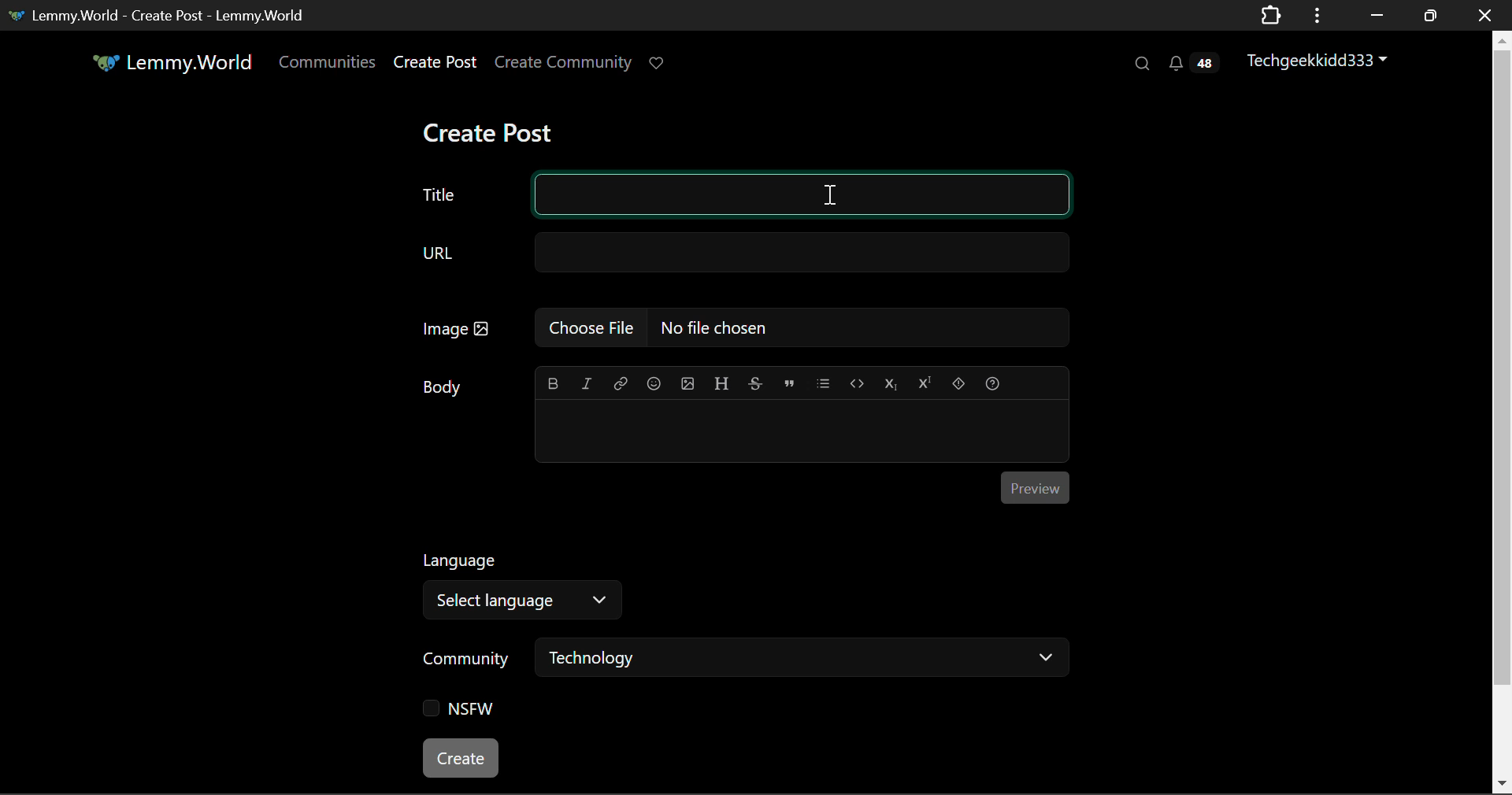 This screenshot has height=795, width=1512. Describe the element at coordinates (991, 381) in the screenshot. I see `formatting help` at that location.